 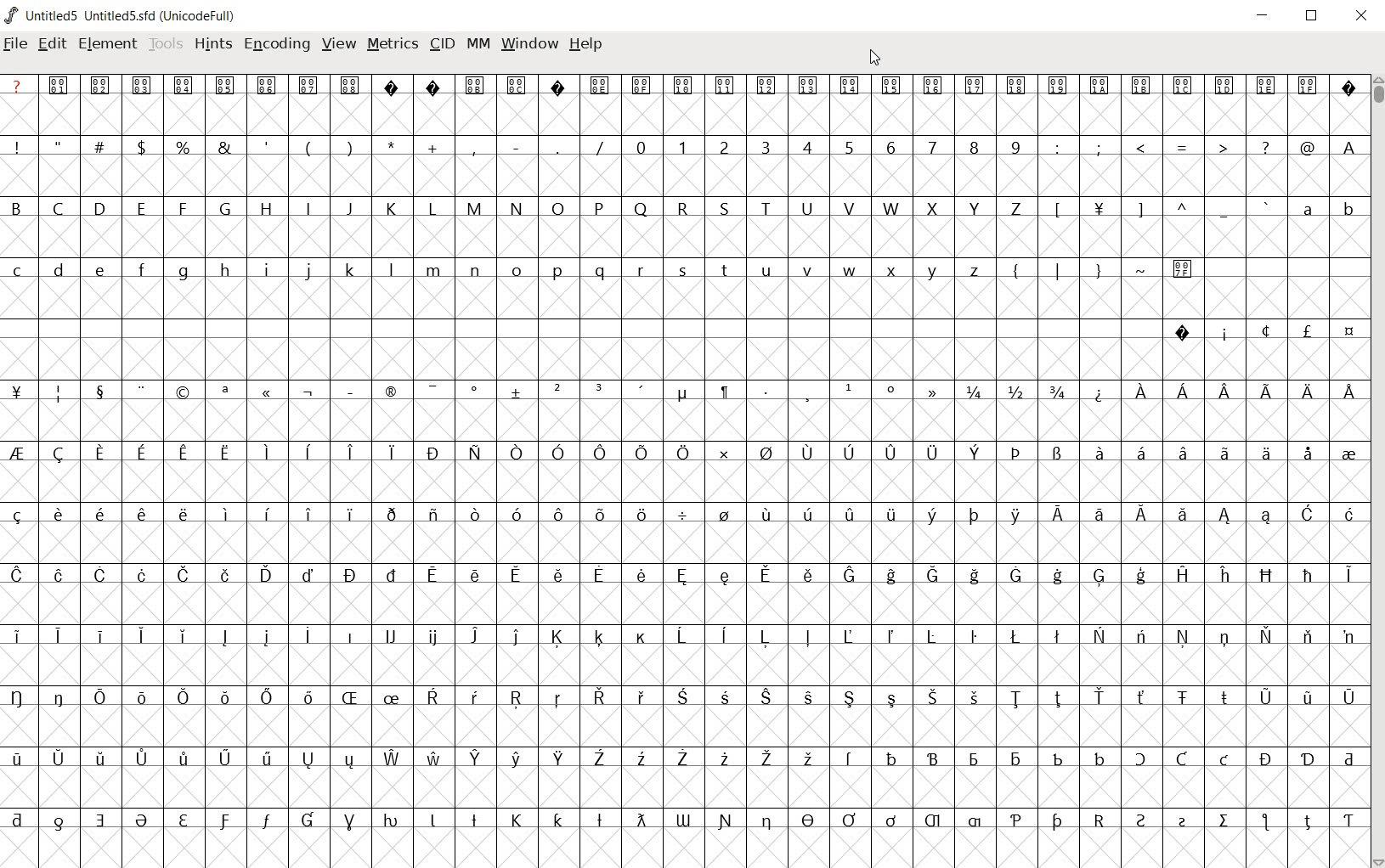 I want to click on Symbol, so click(x=1348, y=87).